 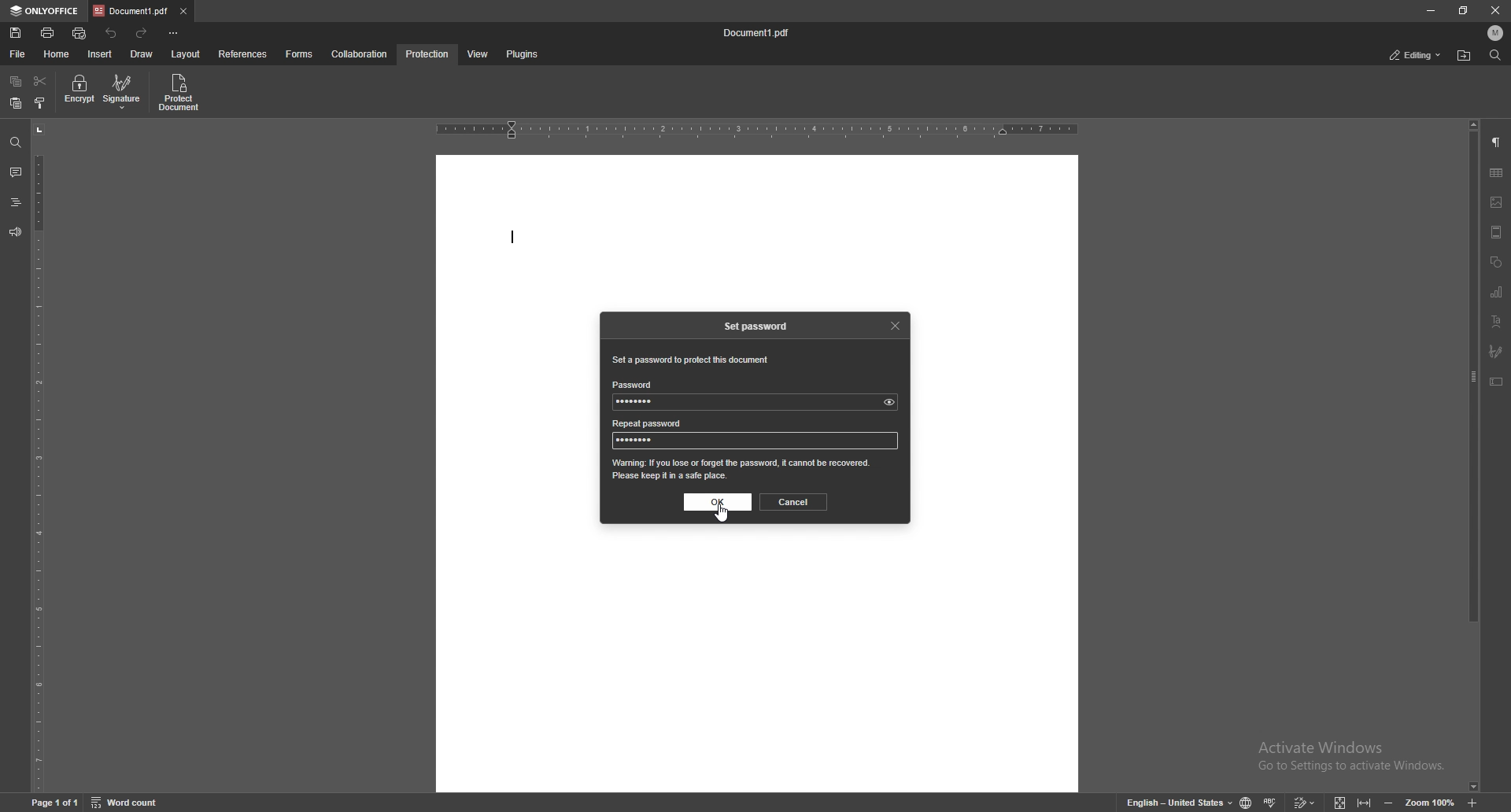 What do you see at coordinates (43, 11) in the screenshot?
I see `onlyoffice` at bounding box center [43, 11].